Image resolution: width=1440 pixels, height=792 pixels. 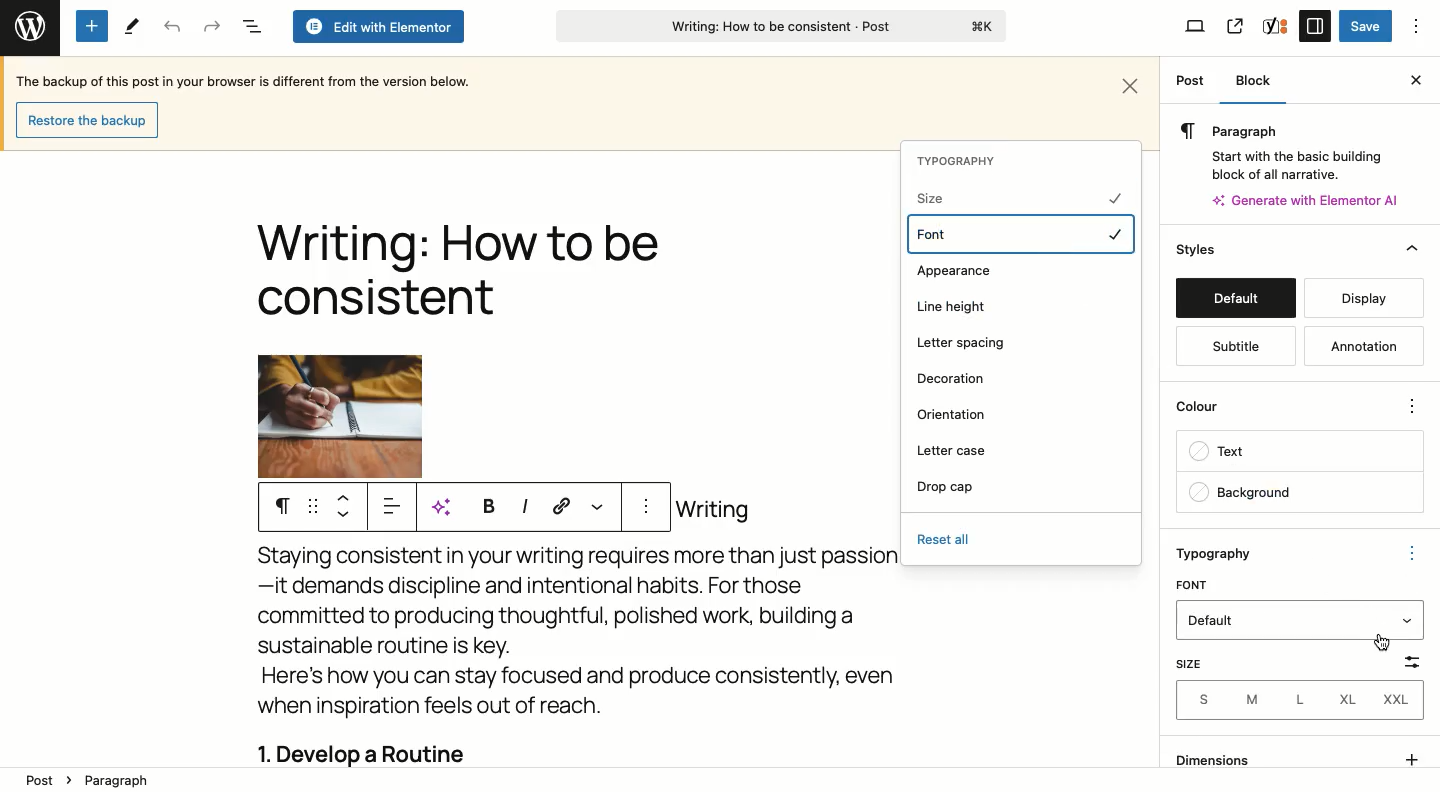 I want to click on Bold, so click(x=486, y=505).